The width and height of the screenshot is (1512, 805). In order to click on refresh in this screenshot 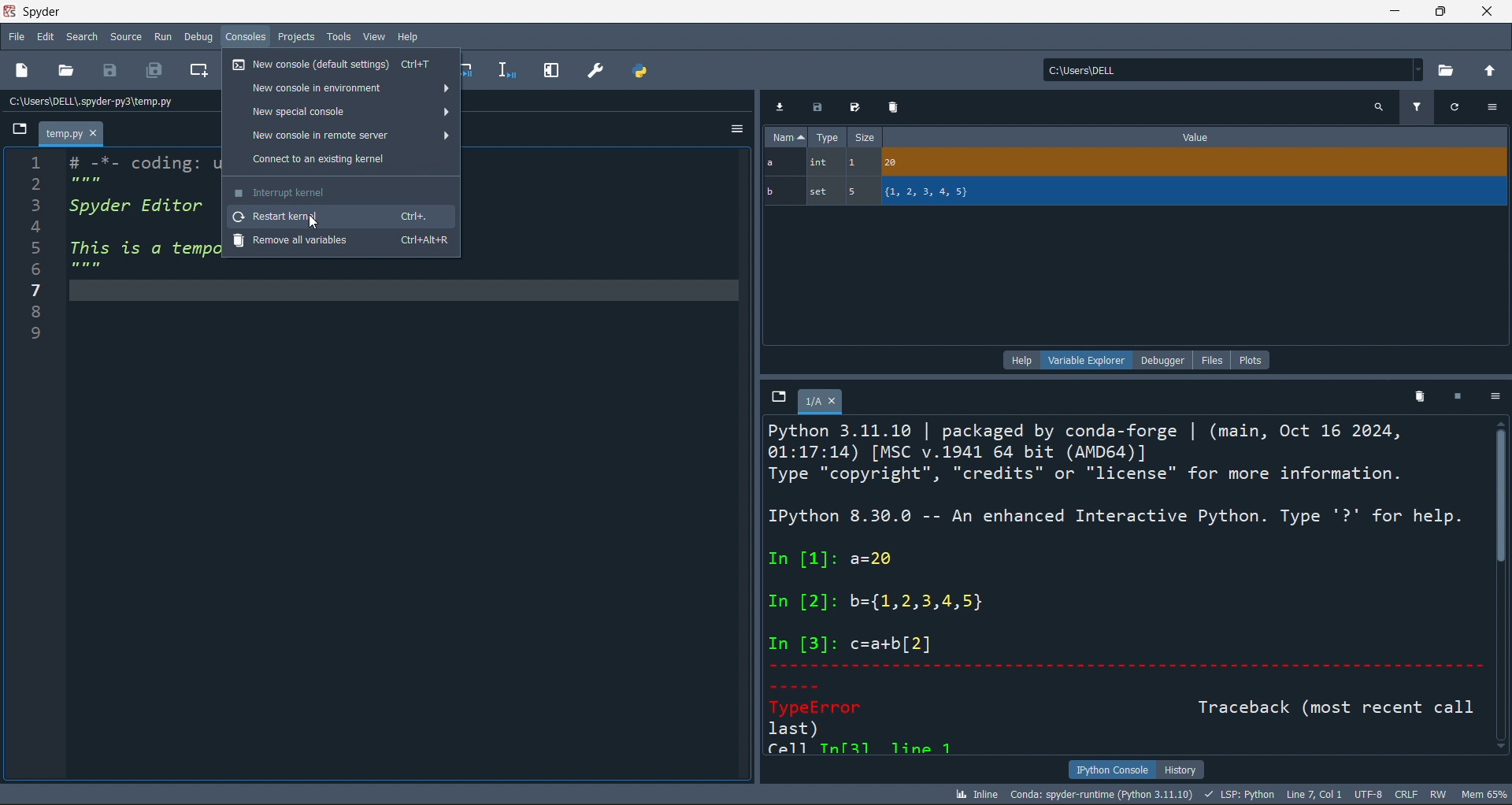, I will do `click(1451, 107)`.